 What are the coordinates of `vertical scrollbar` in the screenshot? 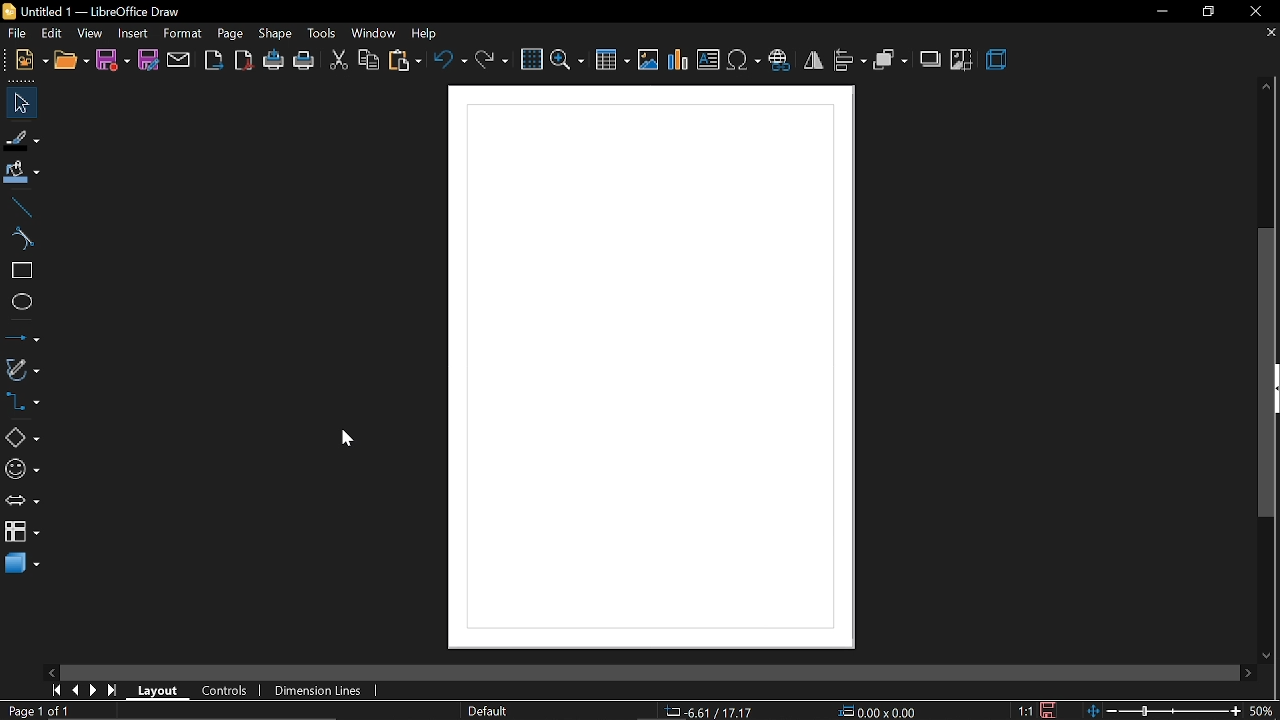 It's located at (1269, 373).